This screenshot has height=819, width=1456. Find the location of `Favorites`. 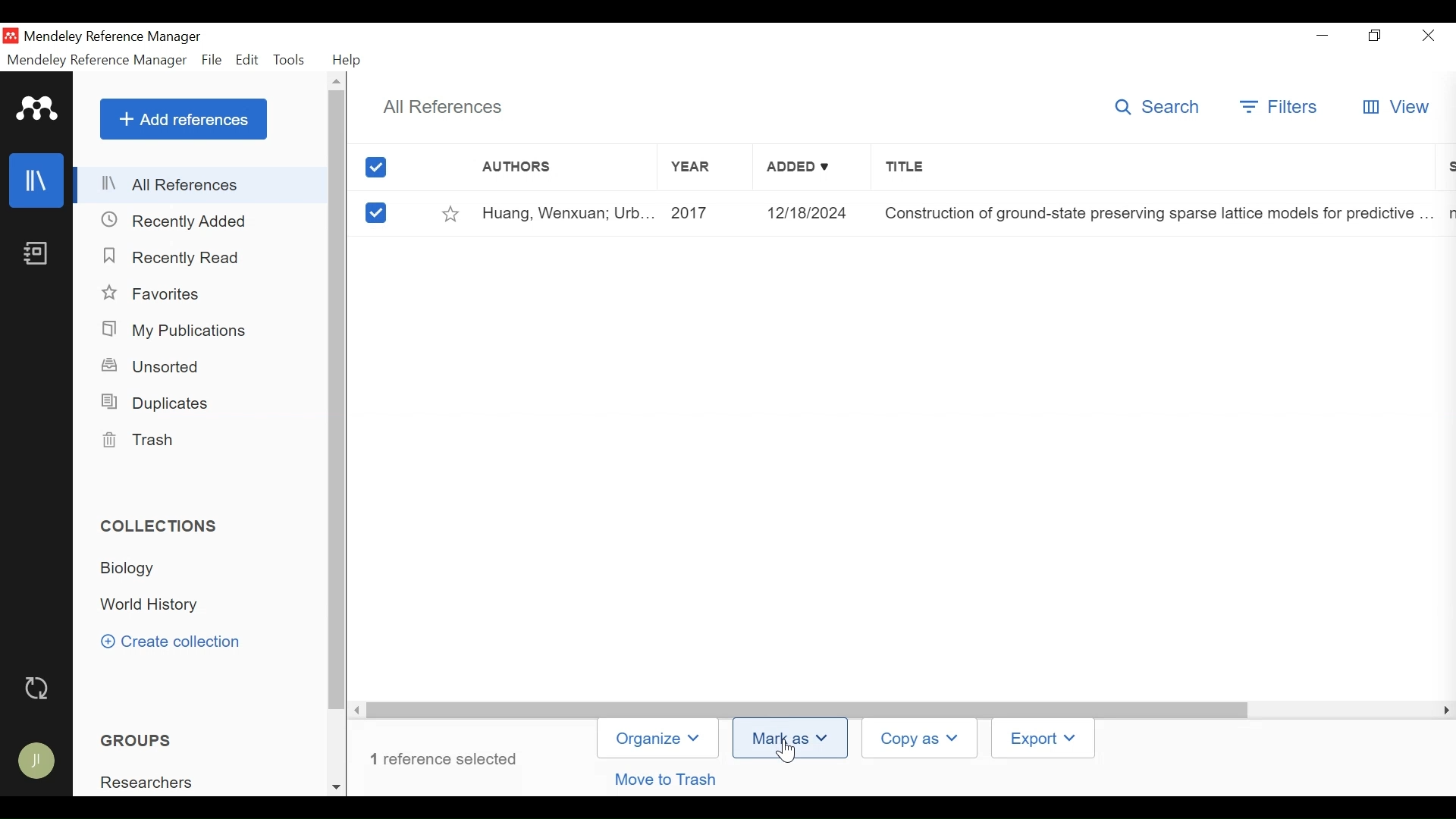

Favorites is located at coordinates (156, 293).